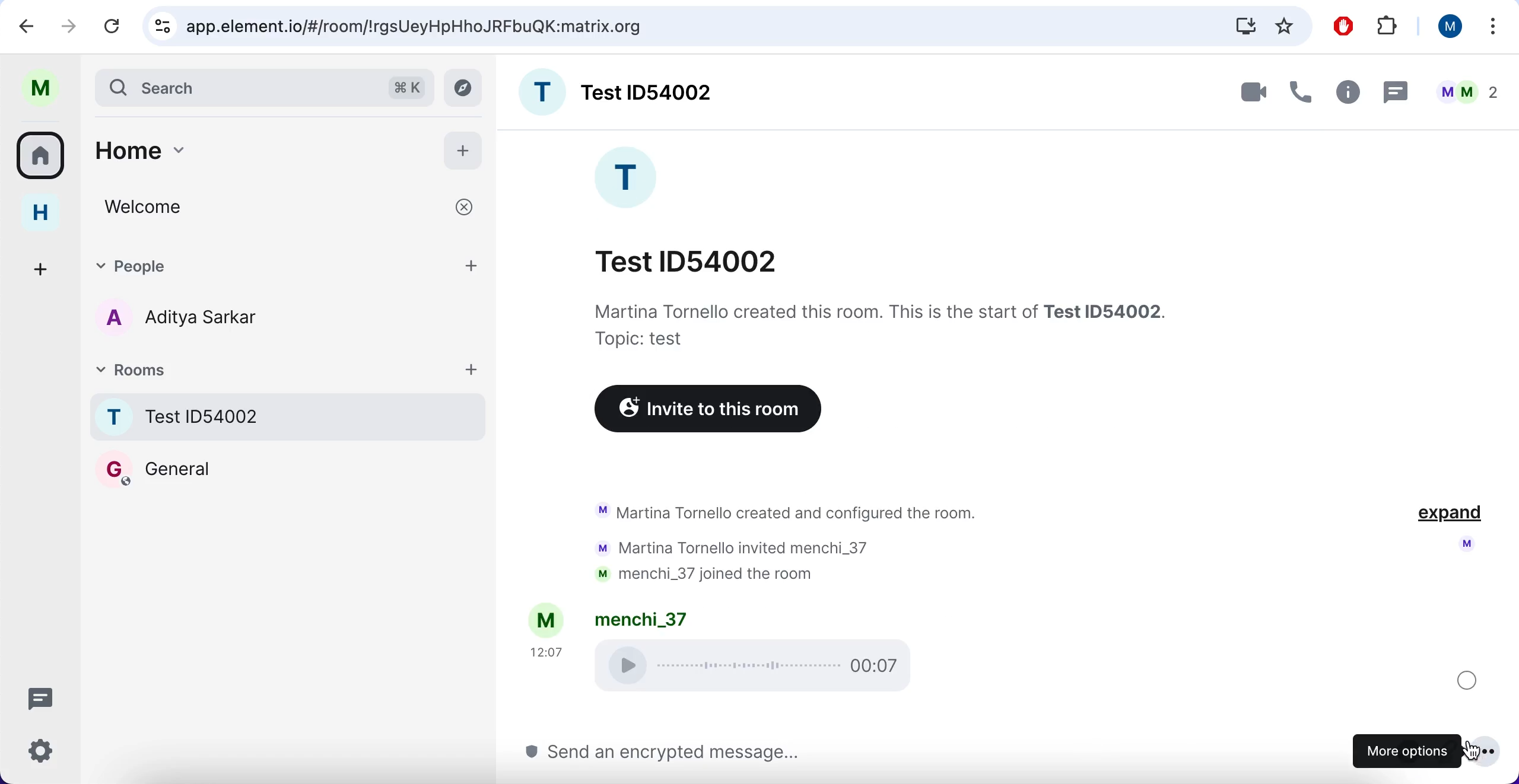 This screenshot has height=784, width=1519. Describe the element at coordinates (695, 257) in the screenshot. I see `chat title` at that location.